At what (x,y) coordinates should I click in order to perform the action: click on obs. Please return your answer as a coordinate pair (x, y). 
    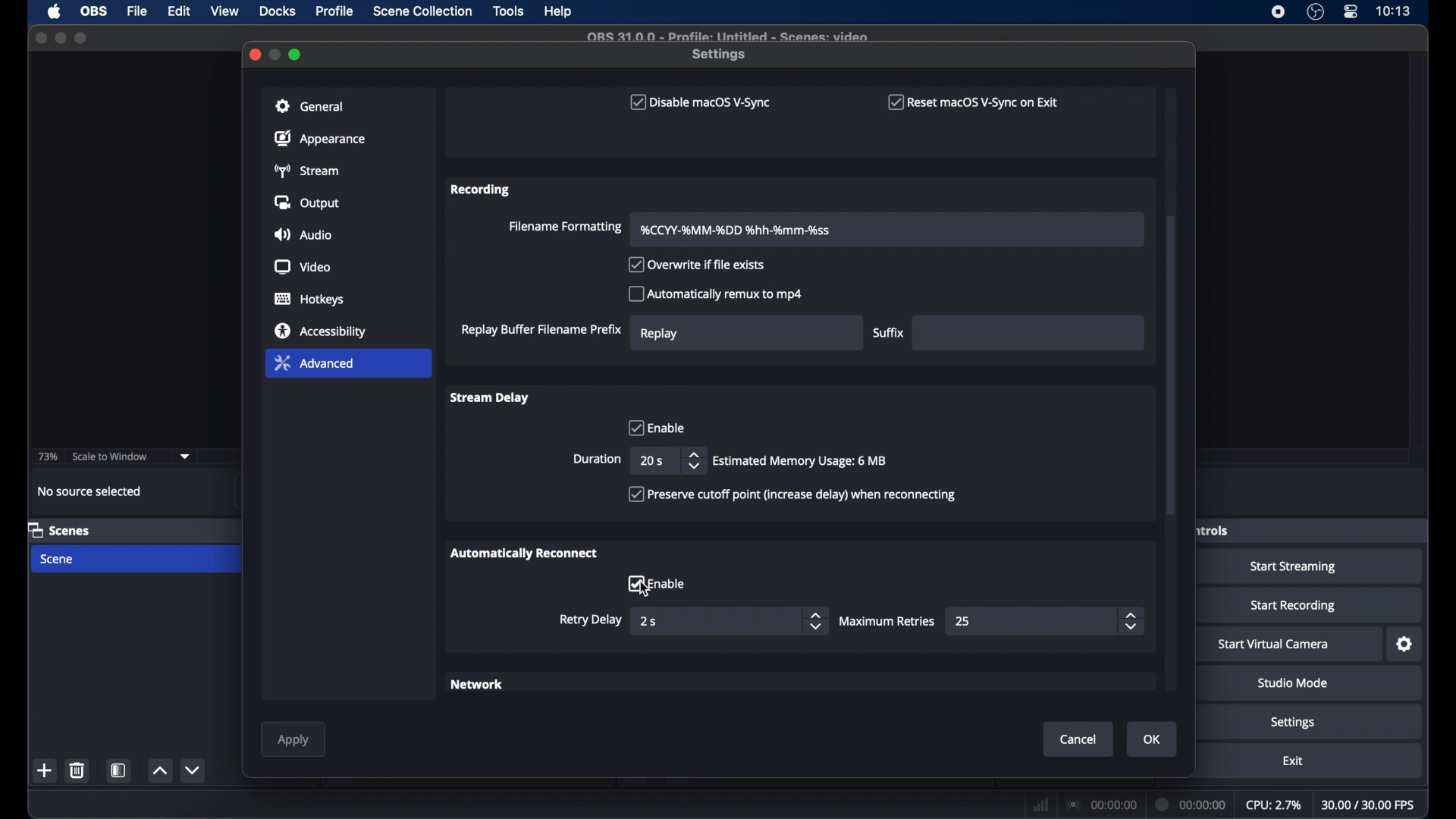
    Looking at the image, I should click on (96, 11).